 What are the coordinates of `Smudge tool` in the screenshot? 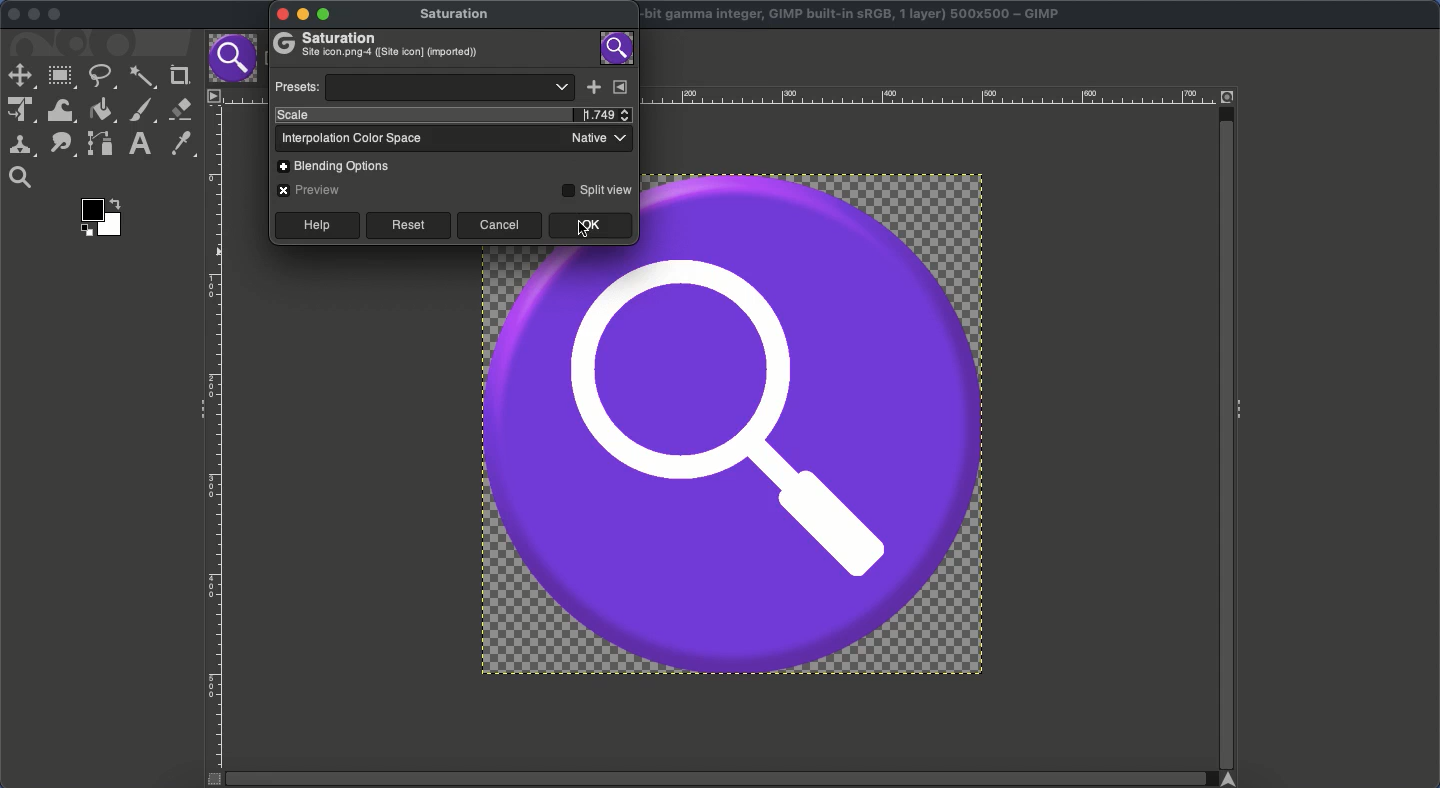 It's located at (61, 145).